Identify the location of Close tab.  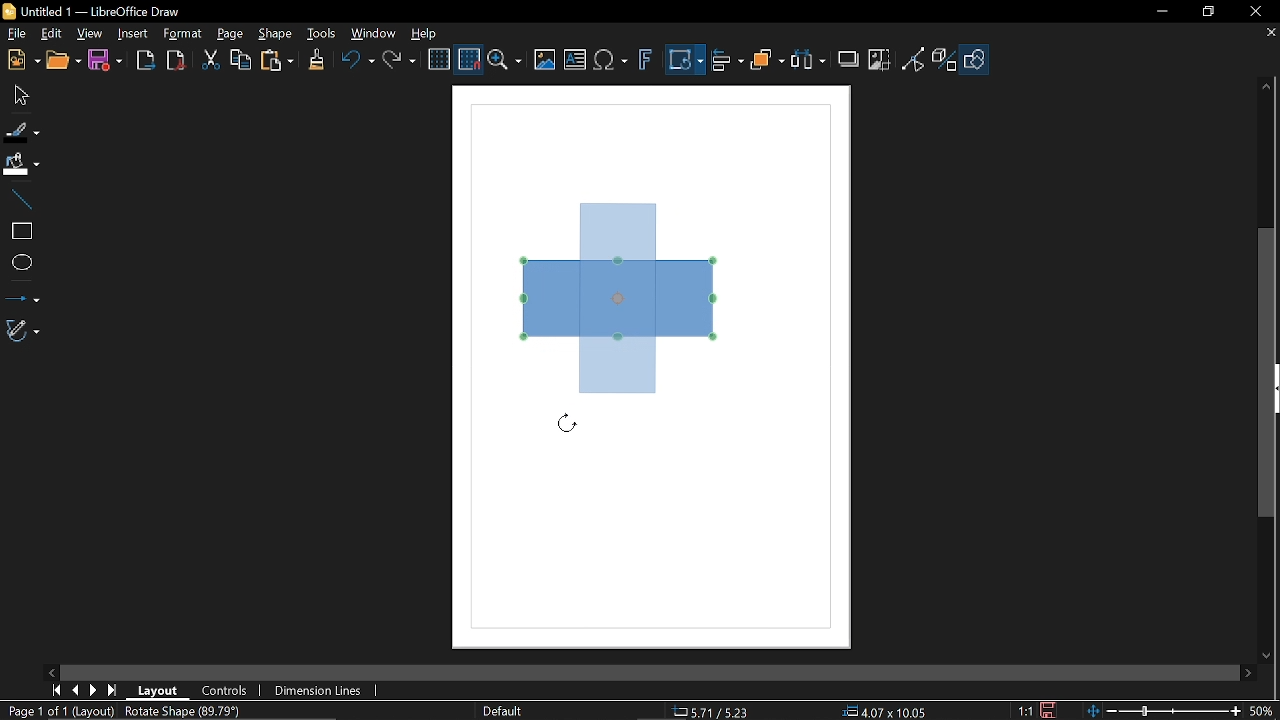
(1269, 34).